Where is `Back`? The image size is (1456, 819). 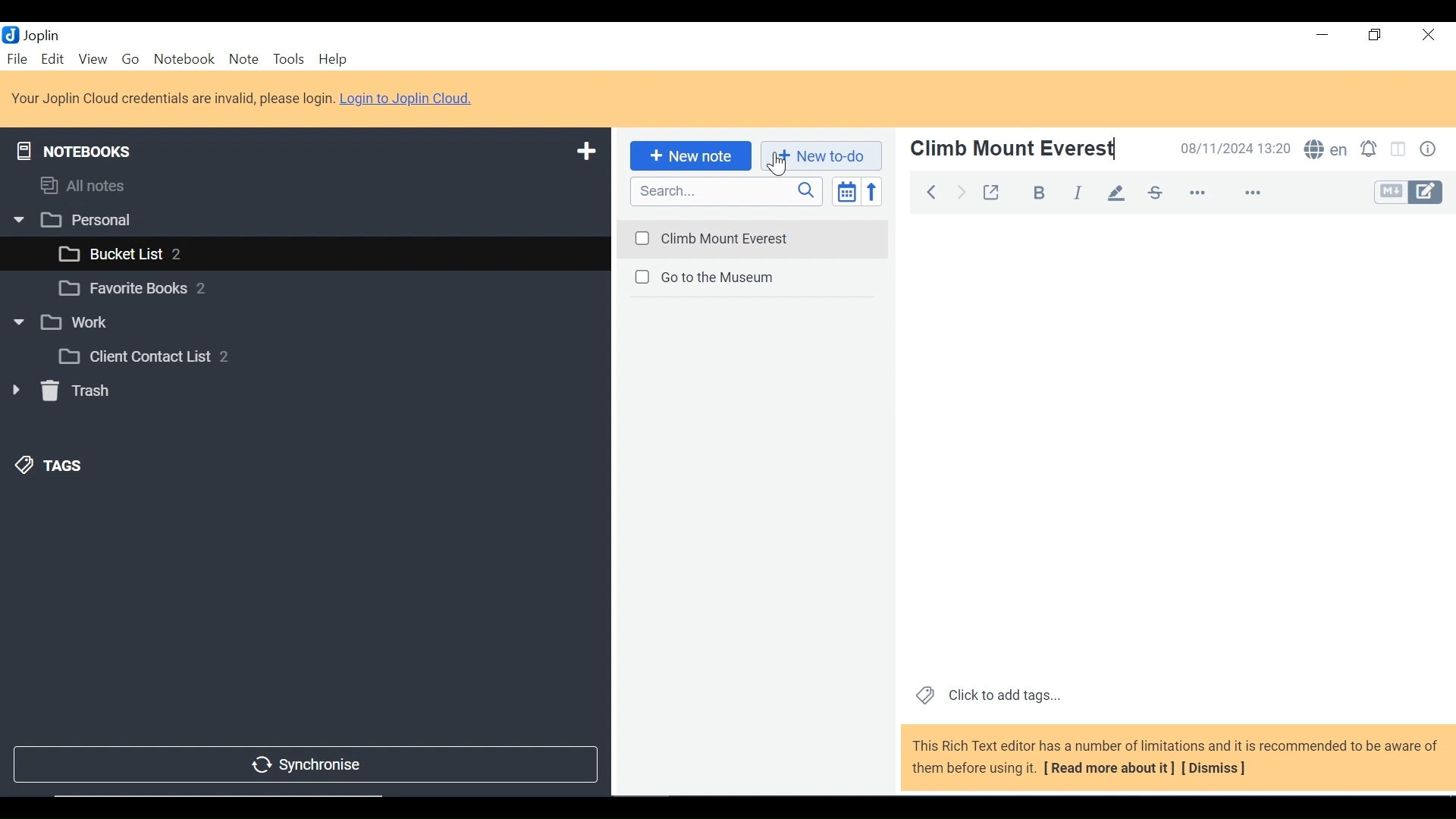 Back is located at coordinates (927, 190).